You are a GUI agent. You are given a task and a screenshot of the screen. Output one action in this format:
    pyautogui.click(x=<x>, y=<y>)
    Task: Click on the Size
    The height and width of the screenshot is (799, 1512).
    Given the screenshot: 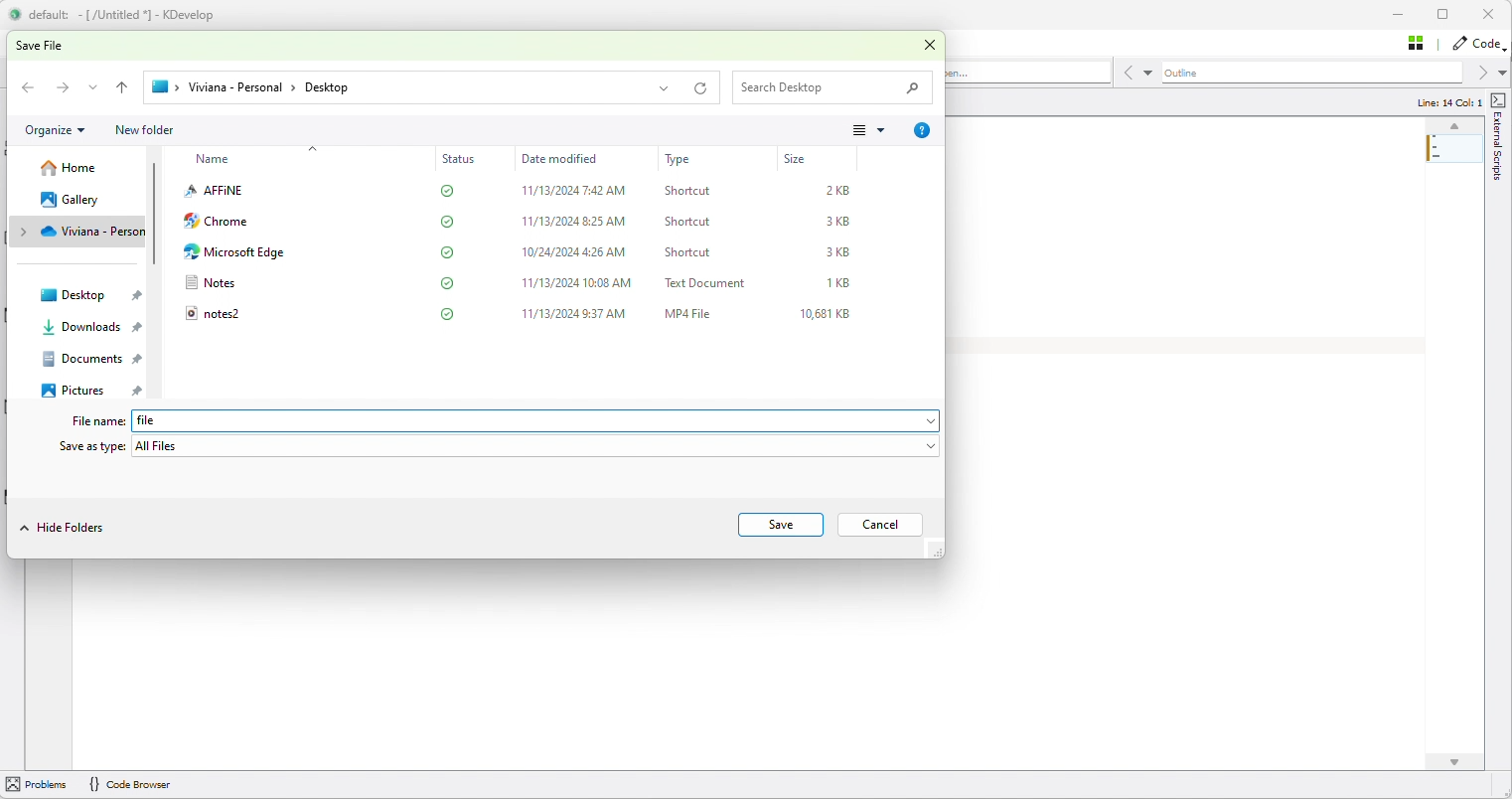 What is the action you would take?
    pyautogui.click(x=797, y=159)
    